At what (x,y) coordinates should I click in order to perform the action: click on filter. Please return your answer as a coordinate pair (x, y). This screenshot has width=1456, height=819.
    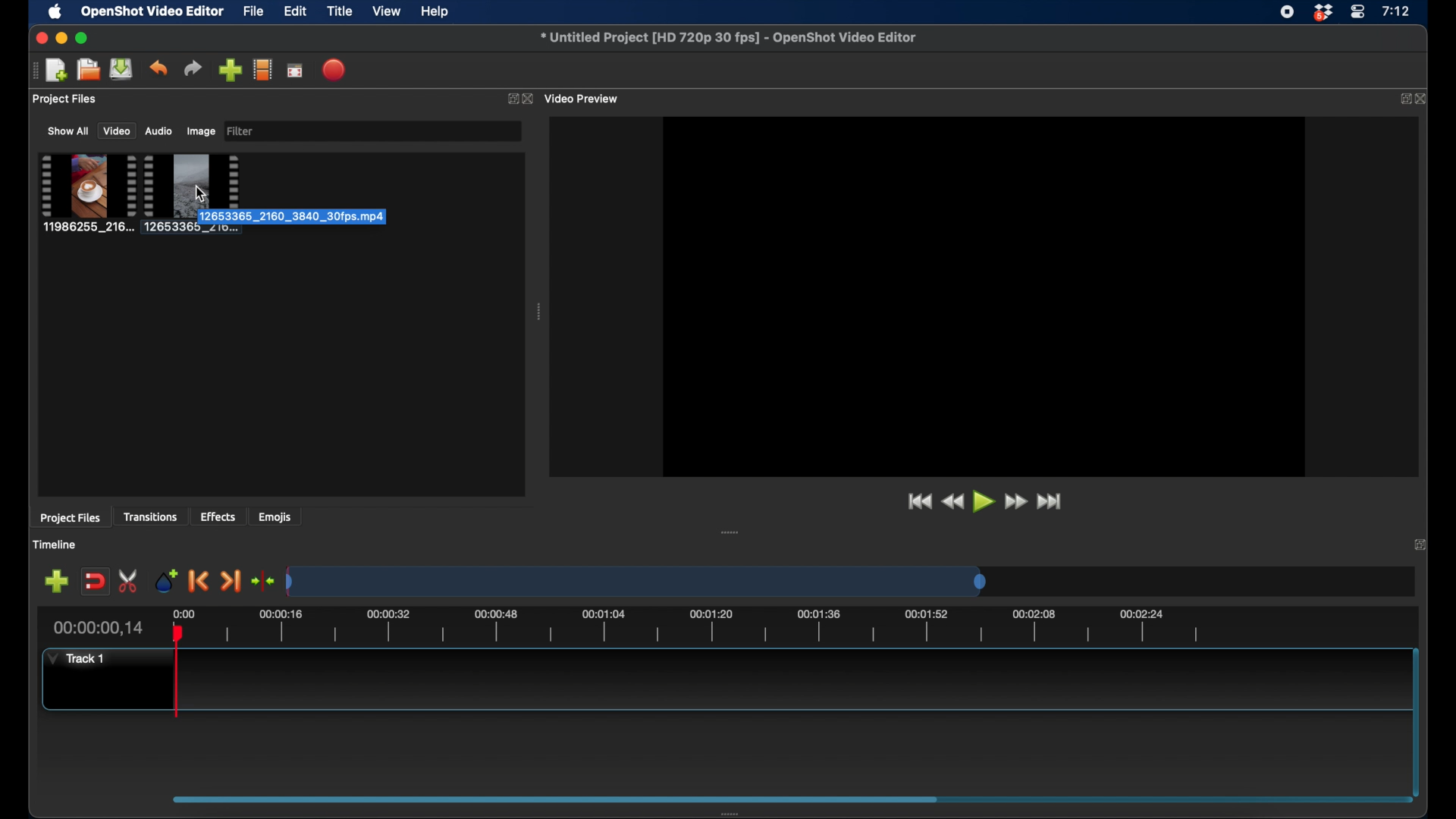
    Looking at the image, I should click on (243, 131).